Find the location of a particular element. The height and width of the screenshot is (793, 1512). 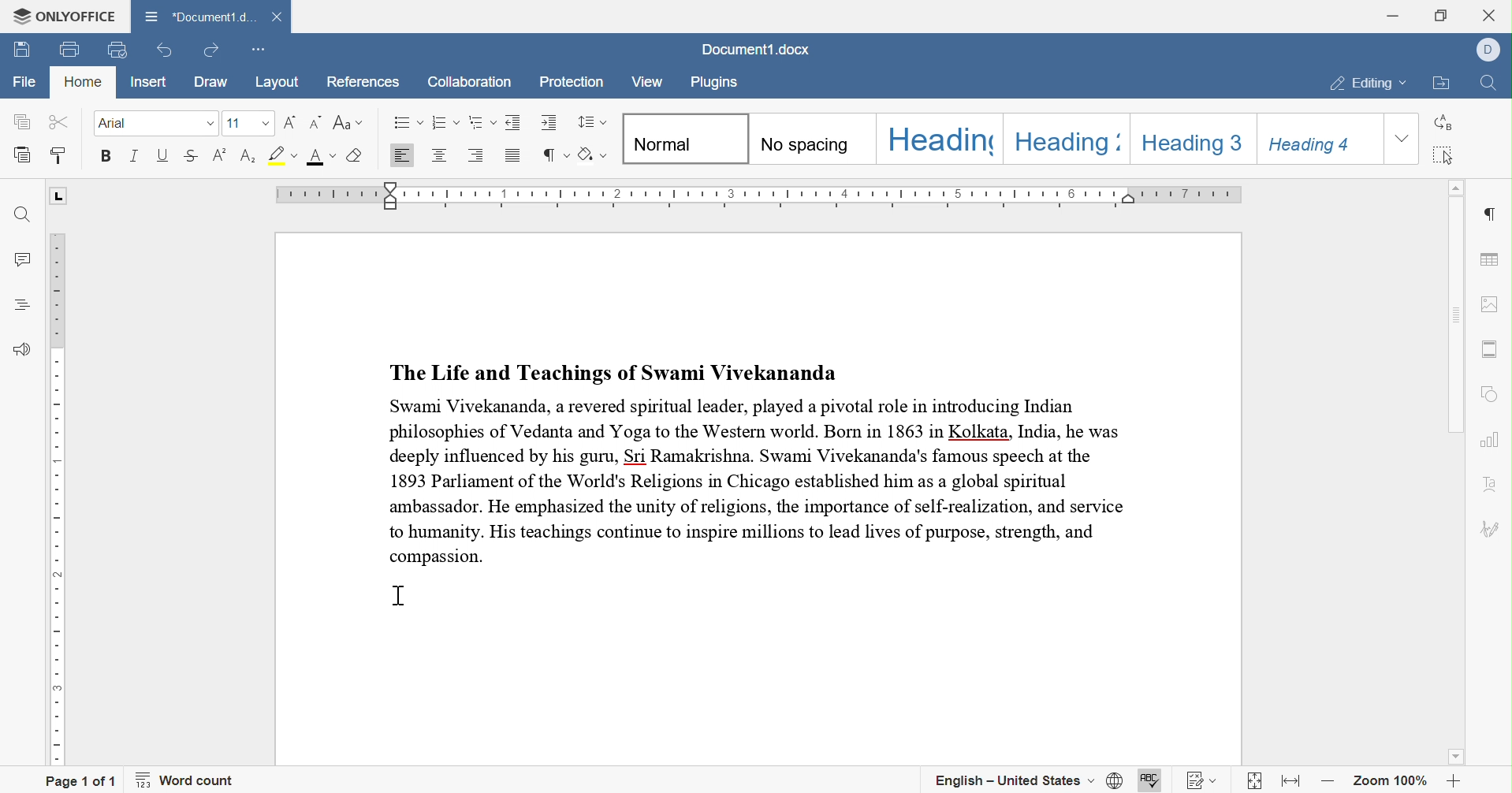

highlight color is located at coordinates (283, 154).